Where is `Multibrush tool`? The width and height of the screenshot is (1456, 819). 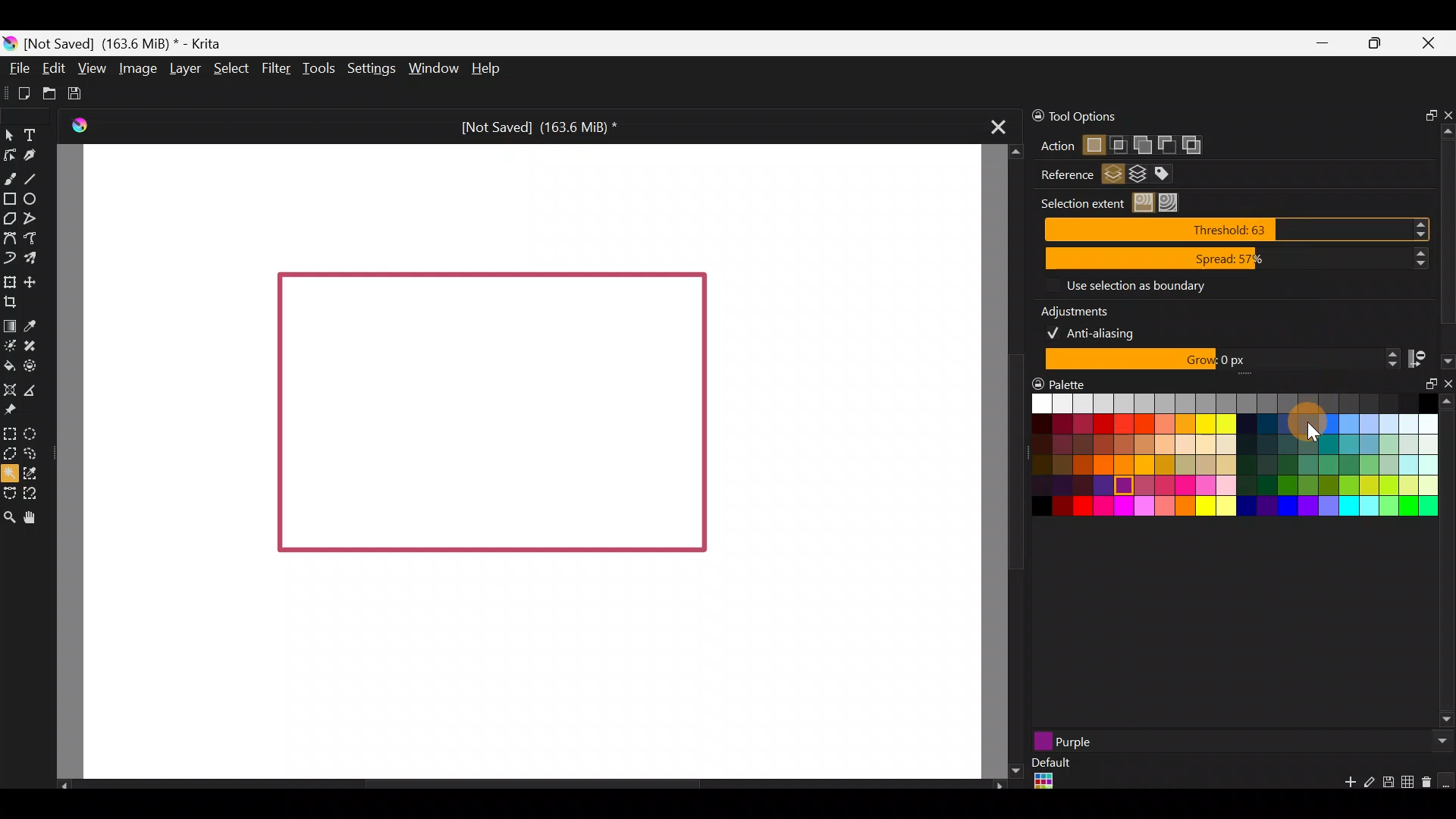 Multibrush tool is located at coordinates (32, 256).